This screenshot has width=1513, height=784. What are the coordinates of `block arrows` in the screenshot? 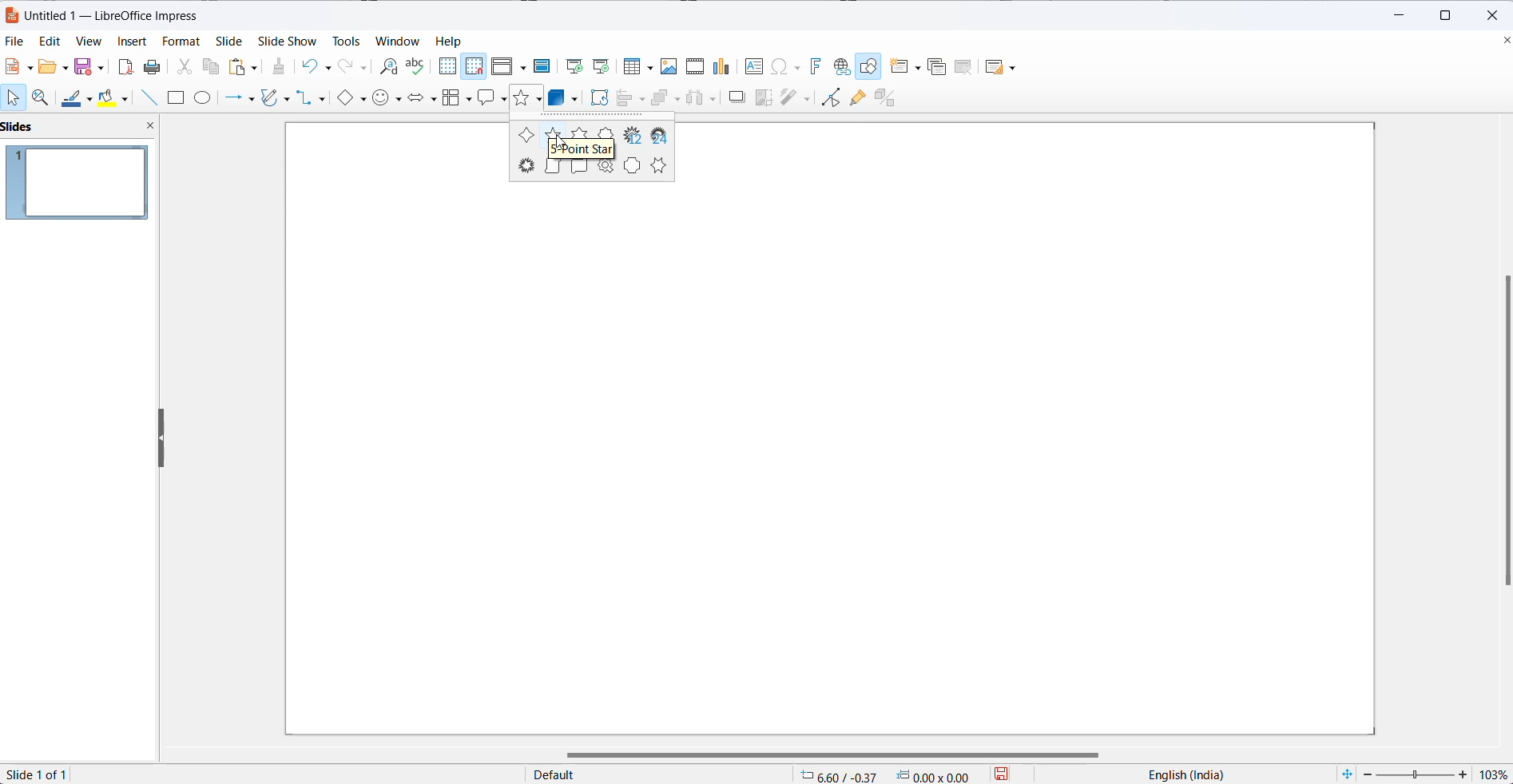 It's located at (421, 97).